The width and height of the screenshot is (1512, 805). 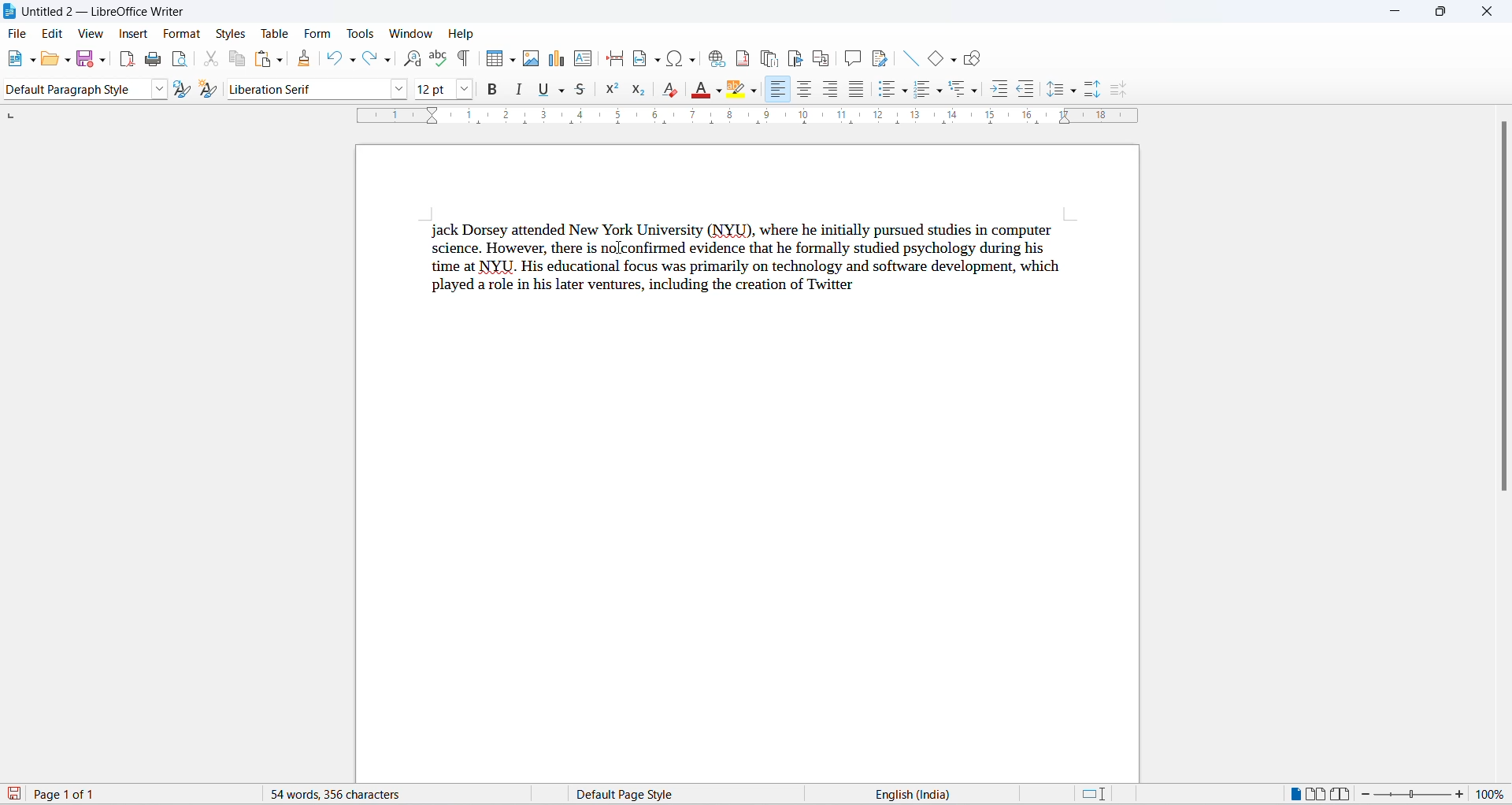 What do you see at coordinates (103, 58) in the screenshot?
I see `save options` at bounding box center [103, 58].